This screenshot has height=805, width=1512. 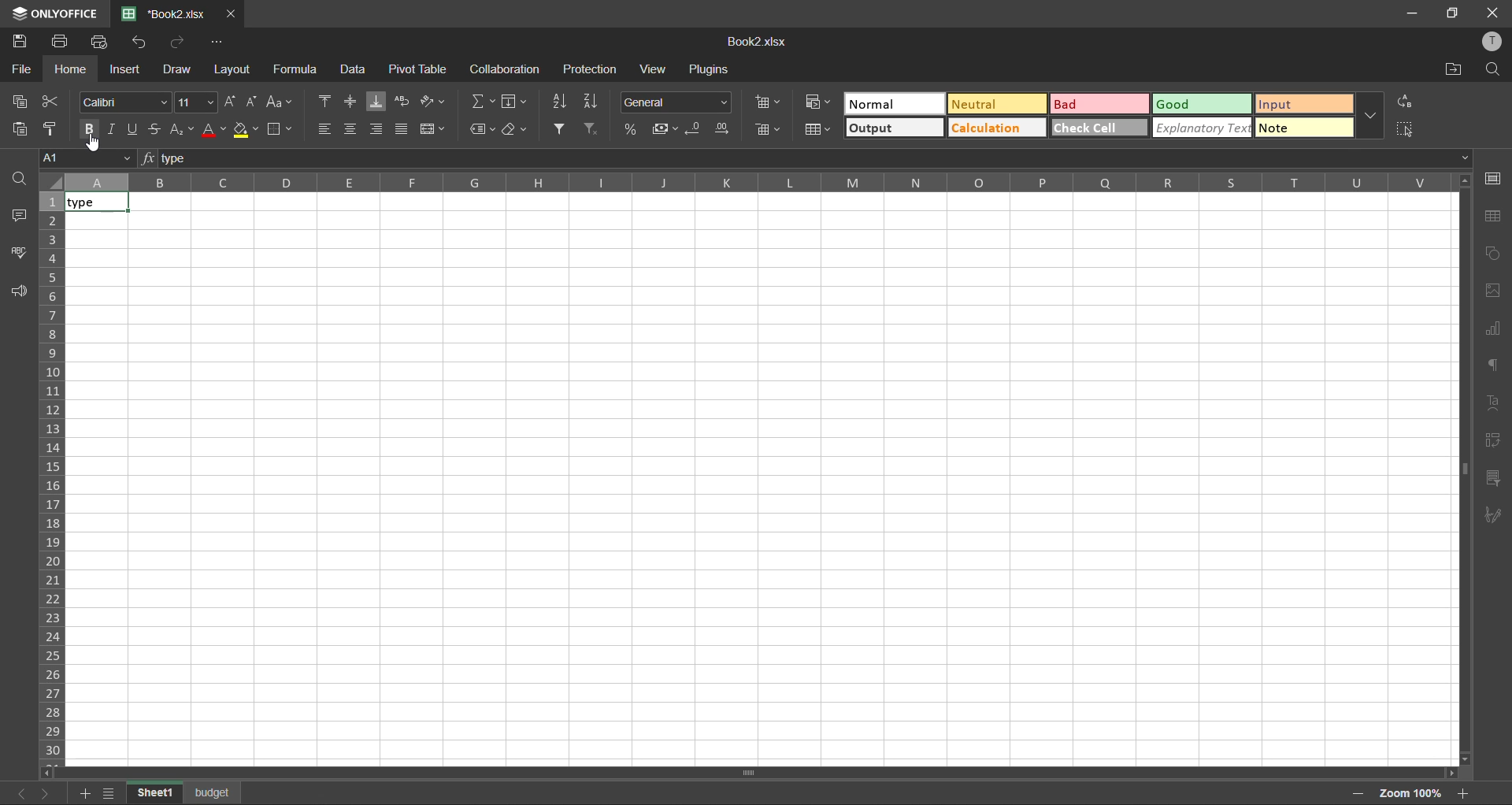 What do you see at coordinates (297, 69) in the screenshot?
I see `formula` at bounding box center [297, 69].